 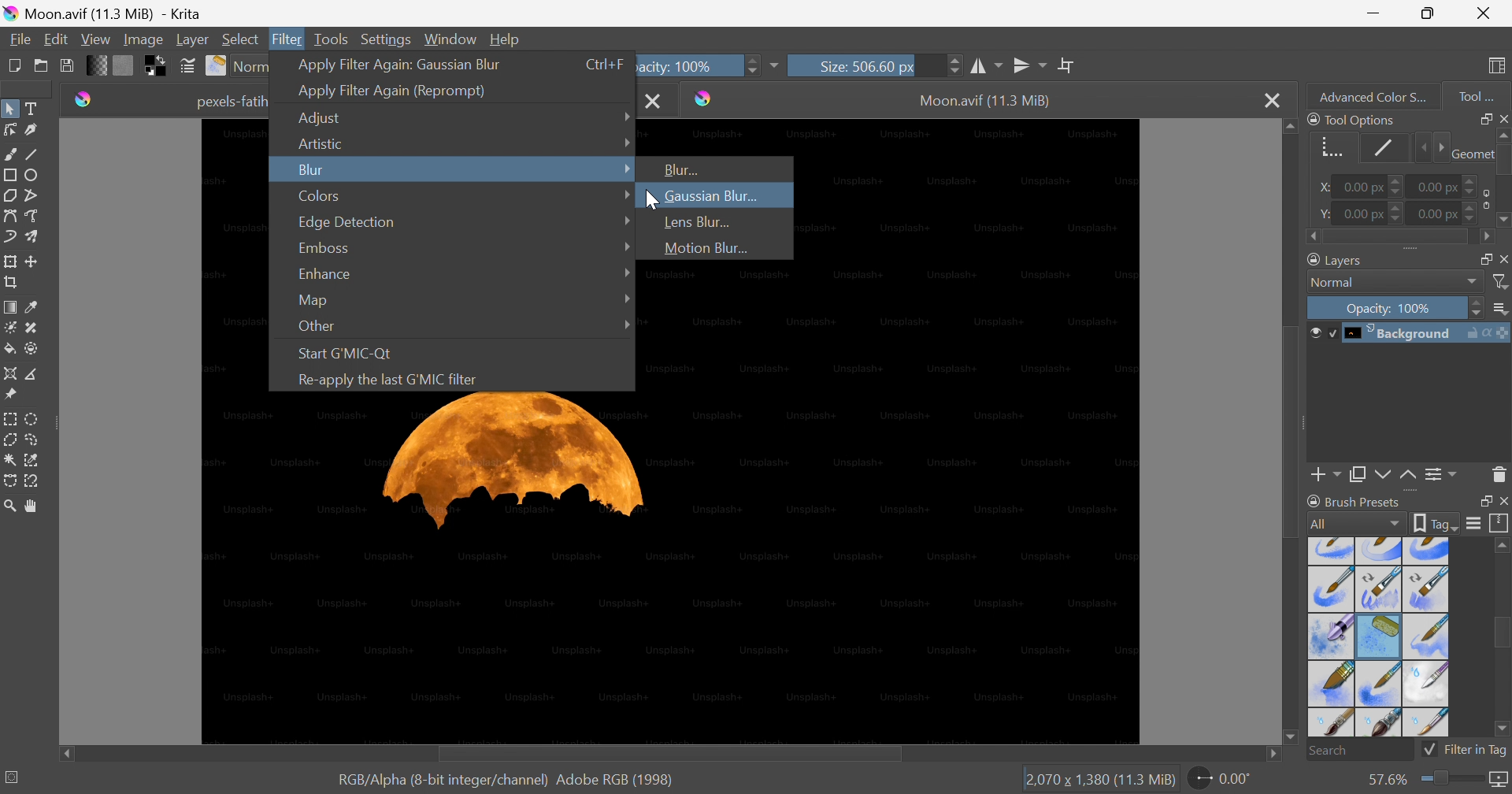 I want to click on 0.00 px, so click(x=1369, y=186).